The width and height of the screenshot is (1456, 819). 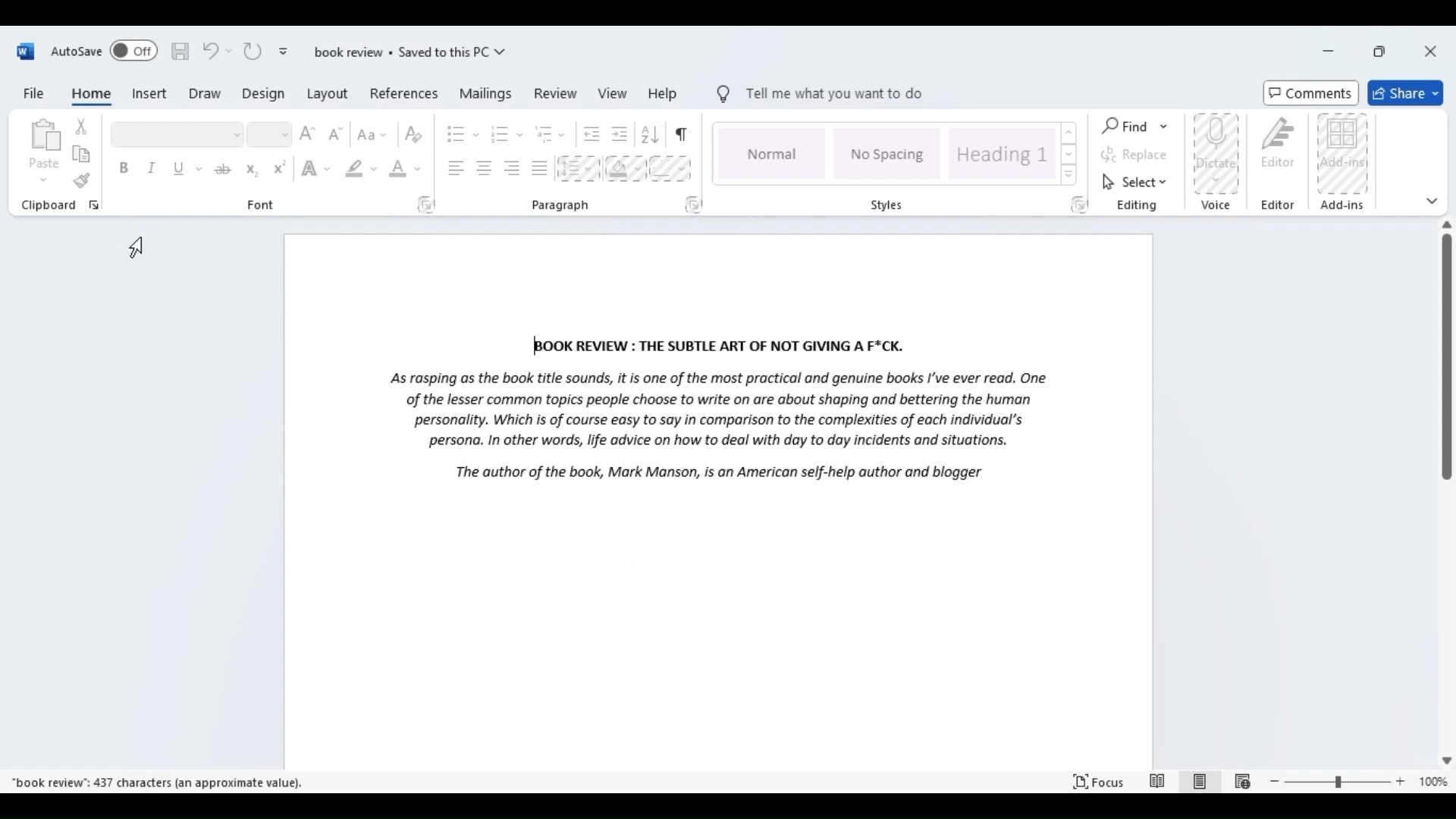 I want to click on Design, so click(x=261, y=95).